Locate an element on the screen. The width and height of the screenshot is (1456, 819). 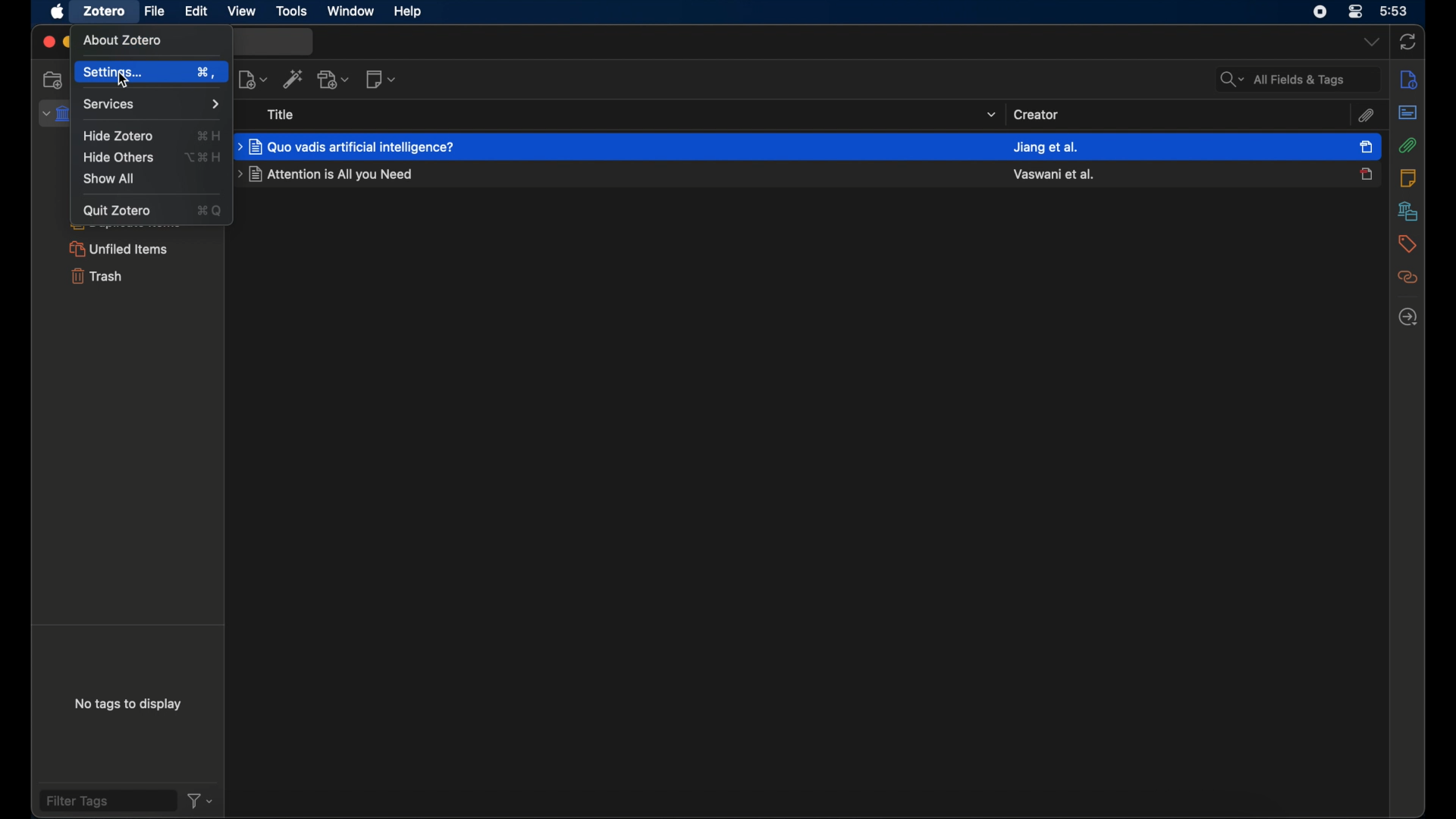
apple icon is located at coordinates (57, 12).